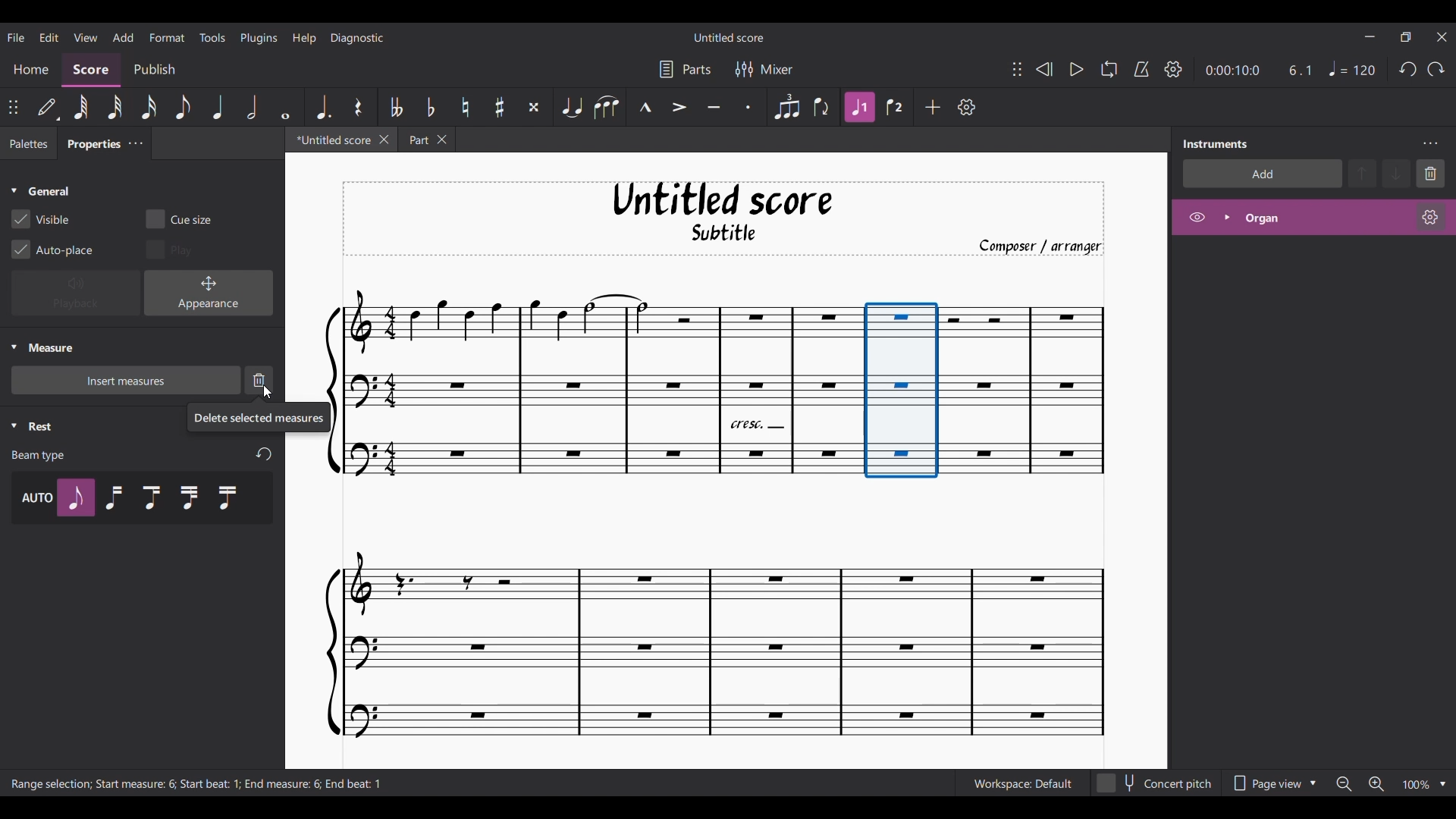 This screenshot has width=1456, height=819. What do you see at coordinates (259, 417) in the screenshot?
I see `Description of current selection by cursor` at bounding box center [259, 417].